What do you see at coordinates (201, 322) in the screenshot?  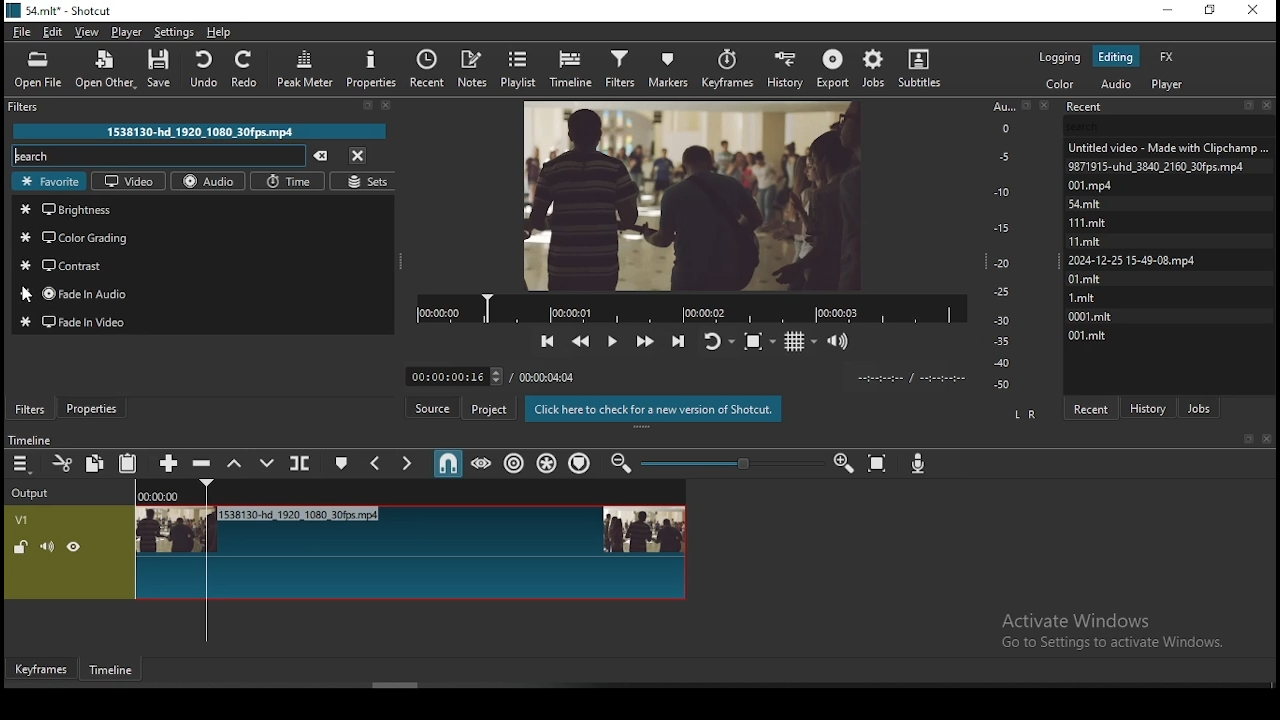 I see `fade in video` at bounding box center [201, 322].